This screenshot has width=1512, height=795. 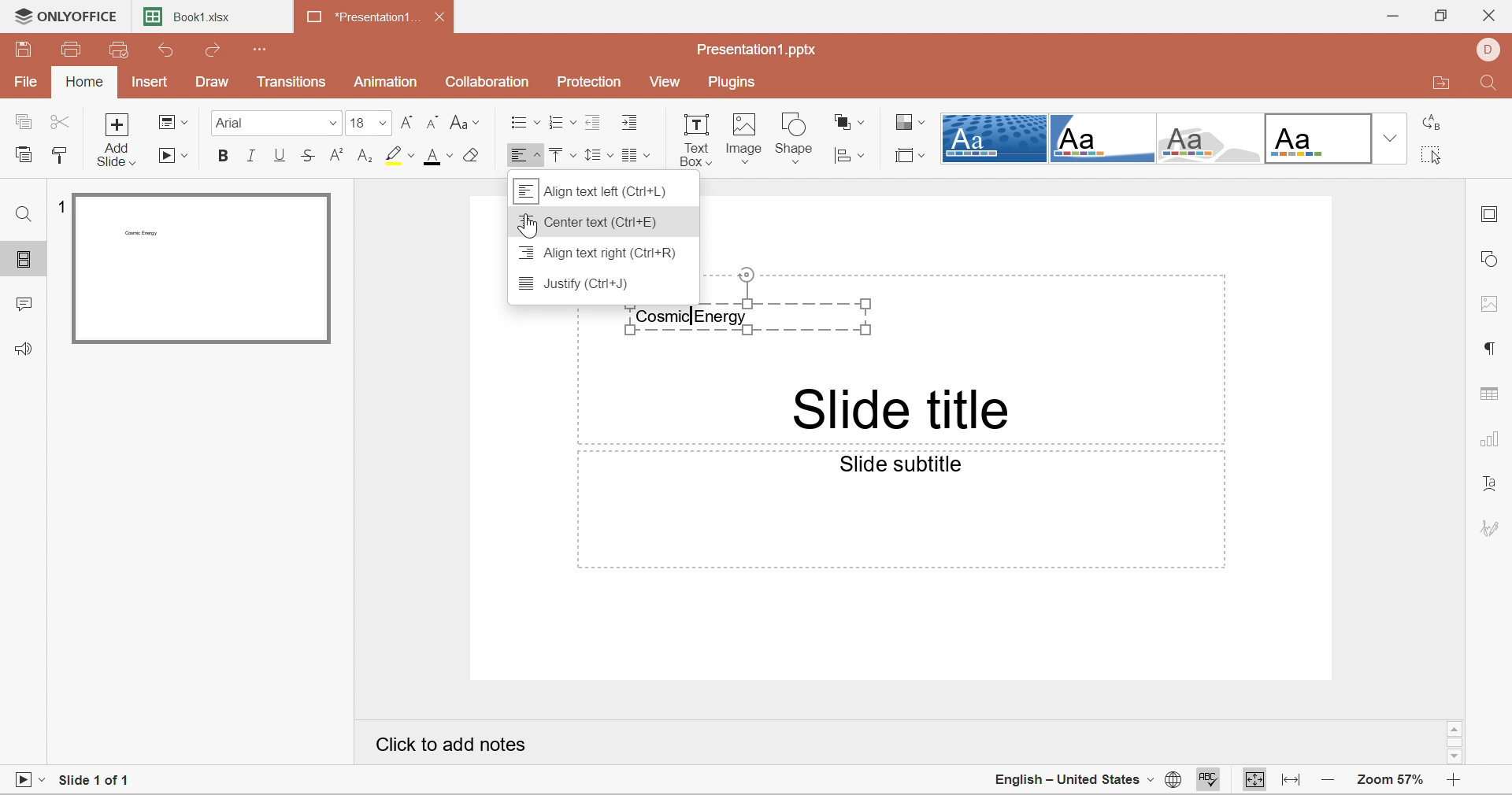 I want to click on Home, so click(x=86, y=83).